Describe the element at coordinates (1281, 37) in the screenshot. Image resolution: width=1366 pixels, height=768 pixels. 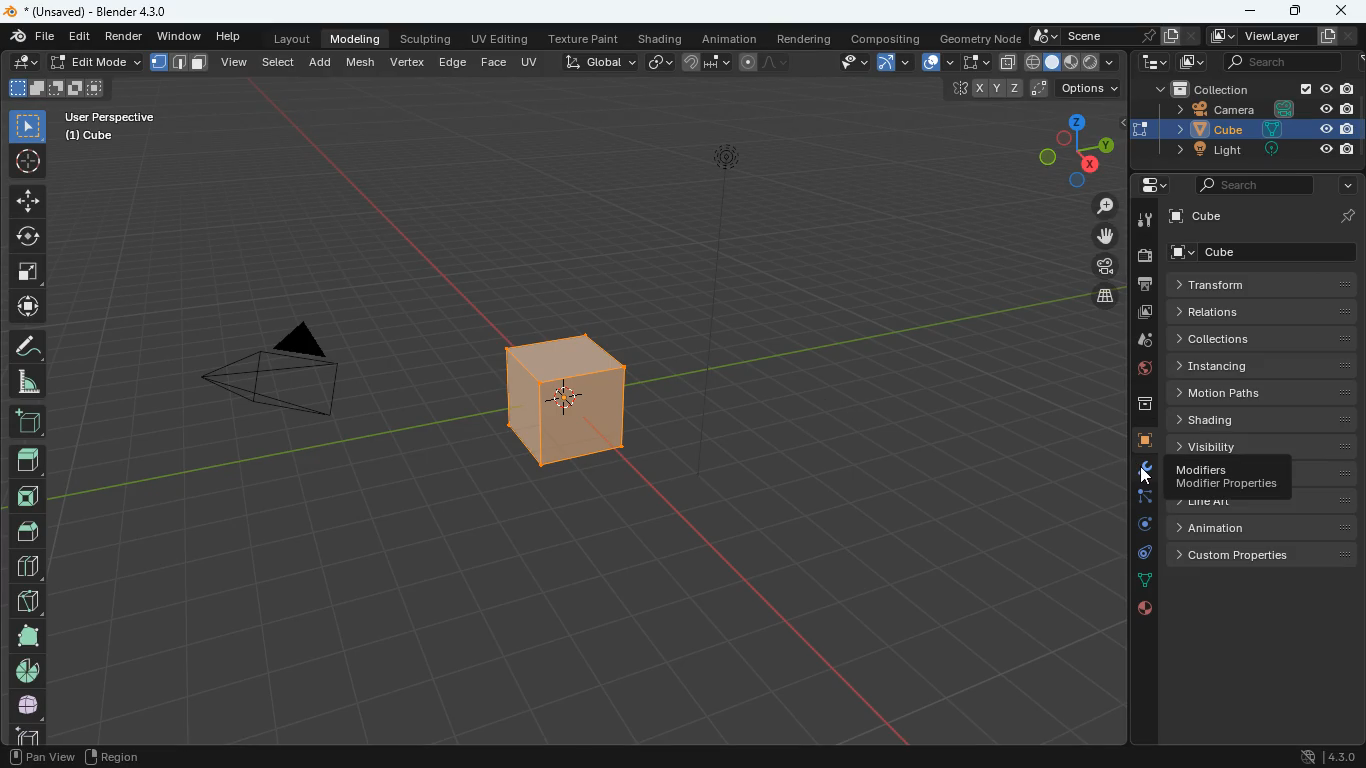
I see `viewlayer` at that location.